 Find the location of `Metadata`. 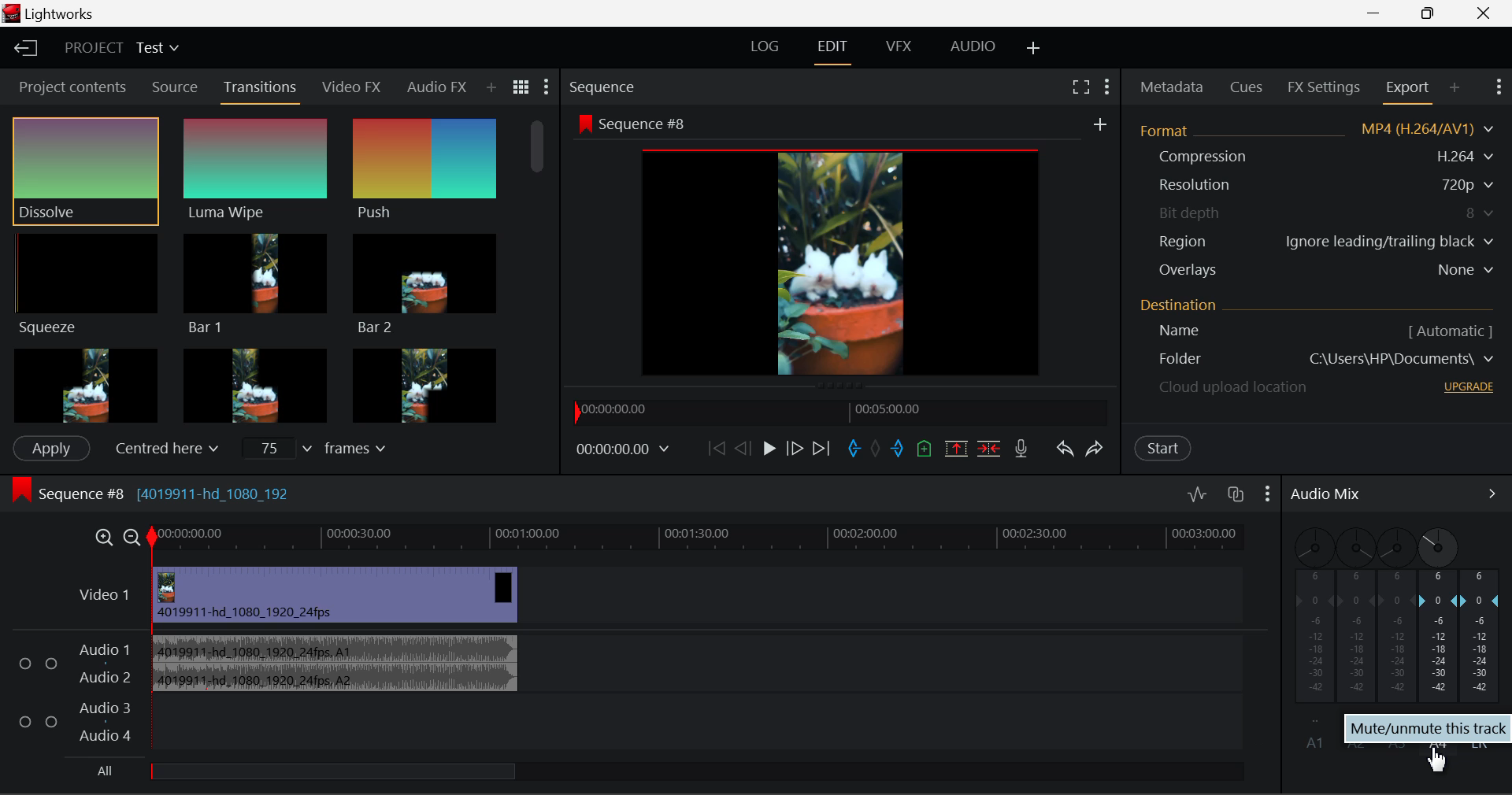

Metadata is located at coordinates (1171, 88).